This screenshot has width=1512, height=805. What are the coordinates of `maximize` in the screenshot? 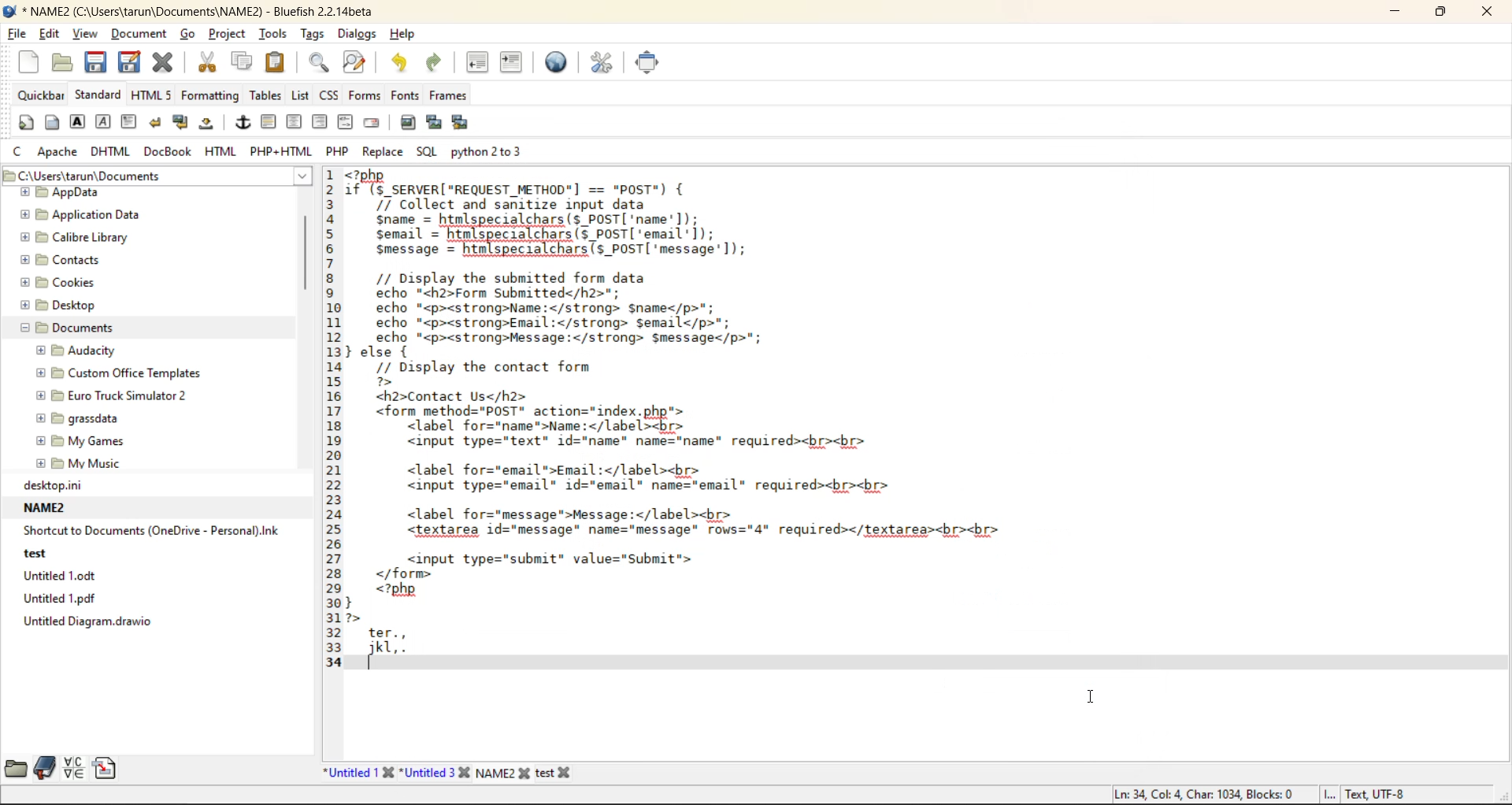 It's located at (1442, 15).